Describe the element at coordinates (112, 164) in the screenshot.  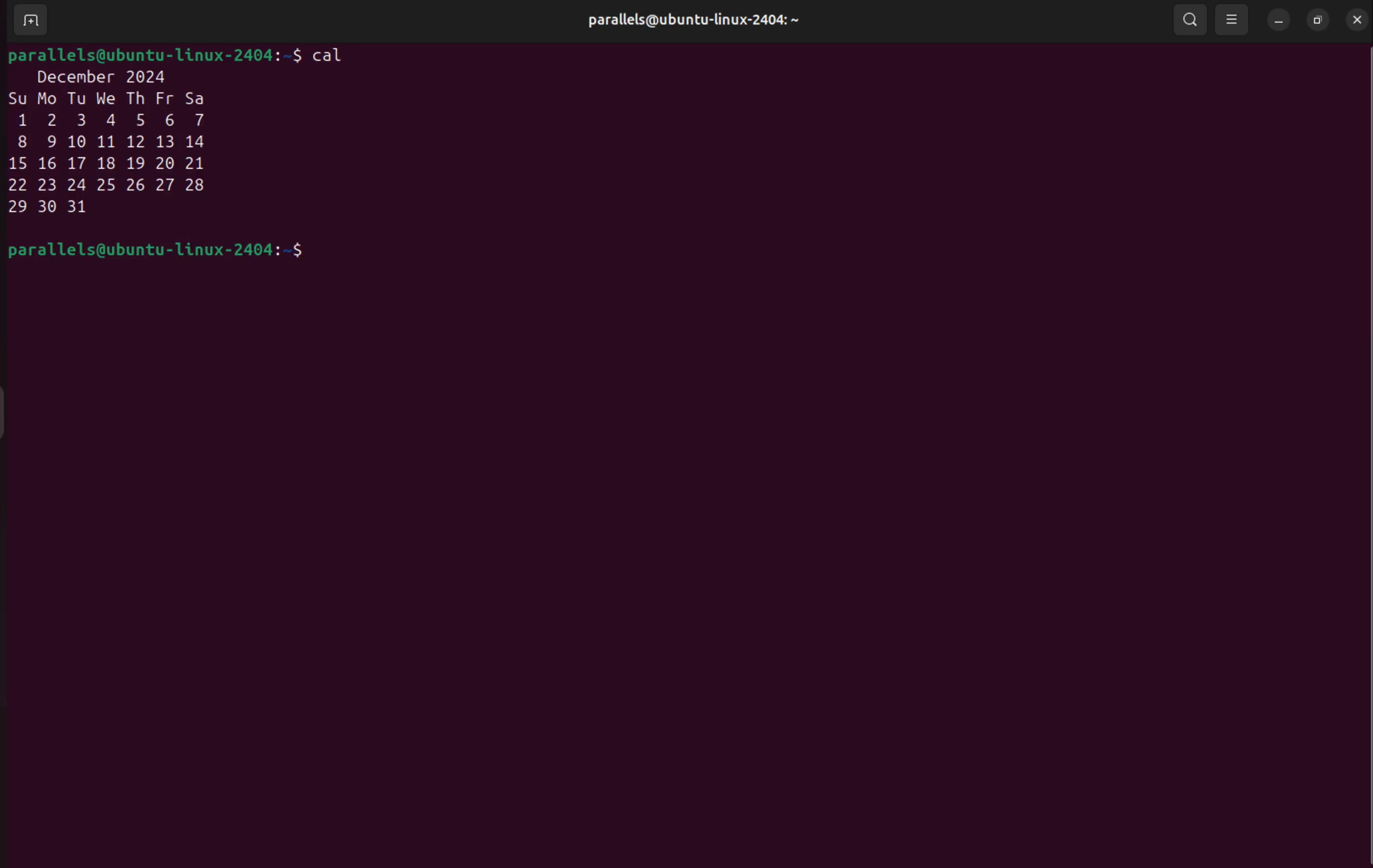
I see `dates` at that location.